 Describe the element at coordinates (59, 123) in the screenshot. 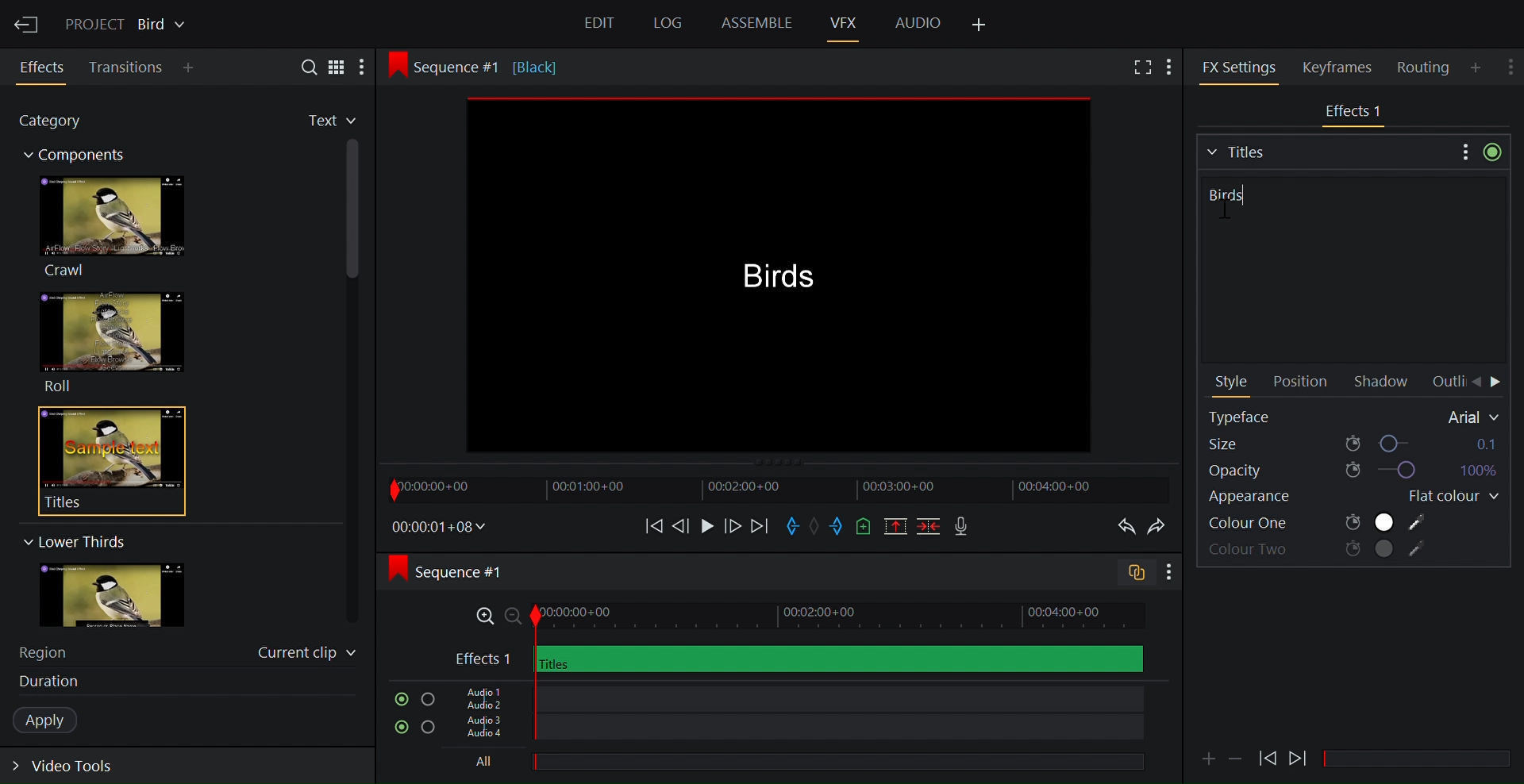

I see `Category` at that location.